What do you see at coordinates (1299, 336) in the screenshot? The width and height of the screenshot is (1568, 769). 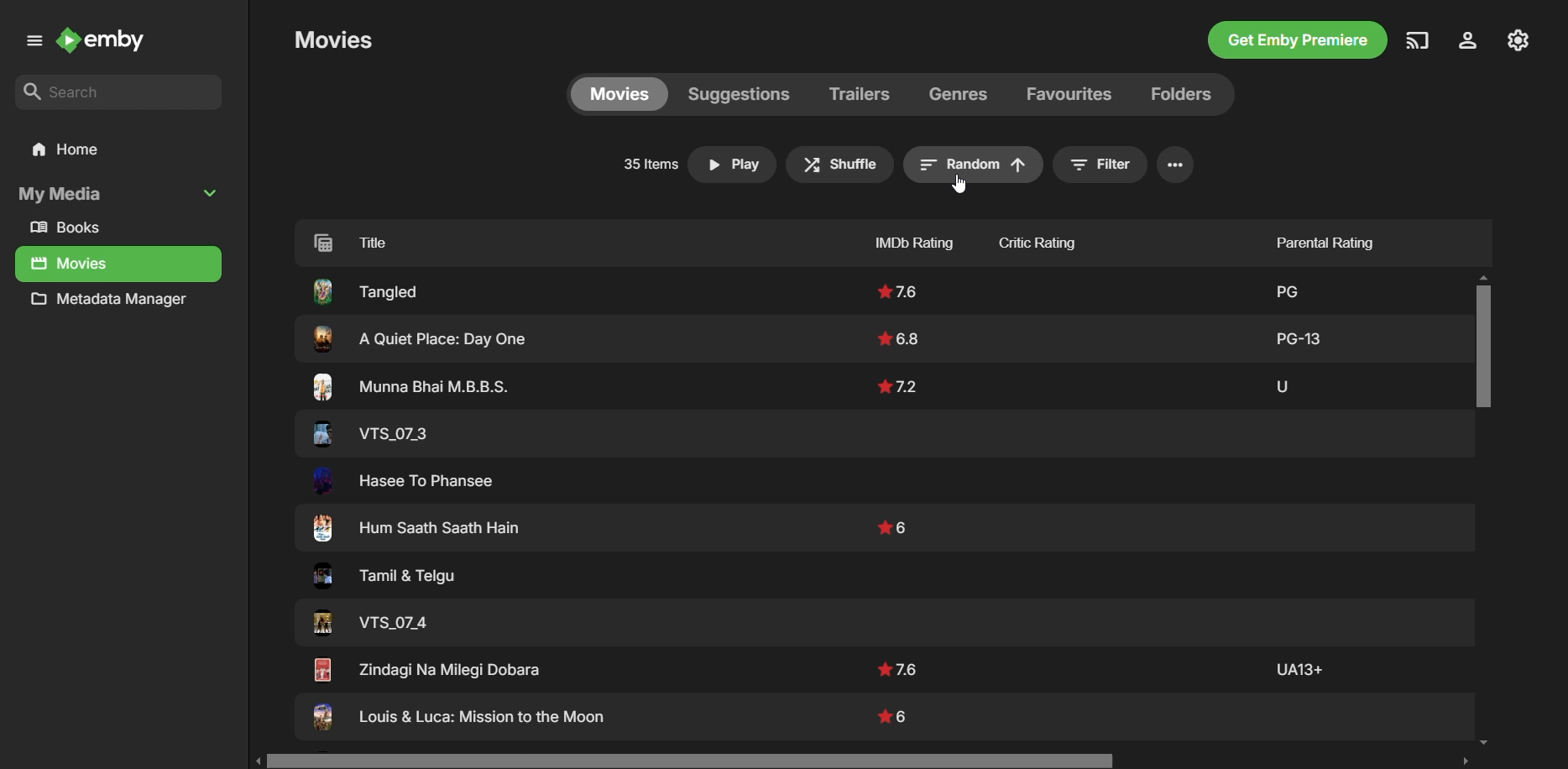 I see `` at bounding box center [1299, 336].